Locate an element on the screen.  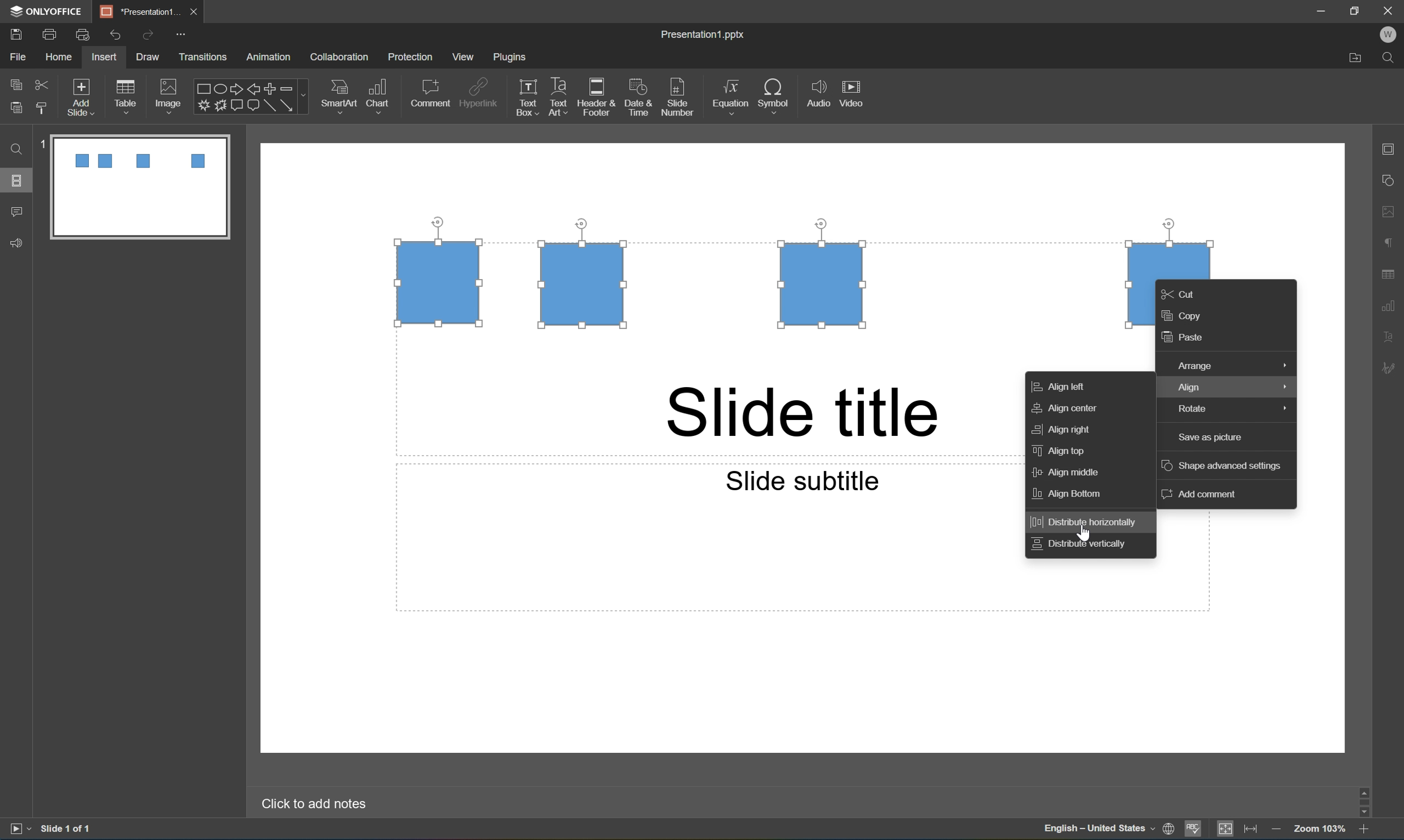
align left is located at coordinates (1066, 386).